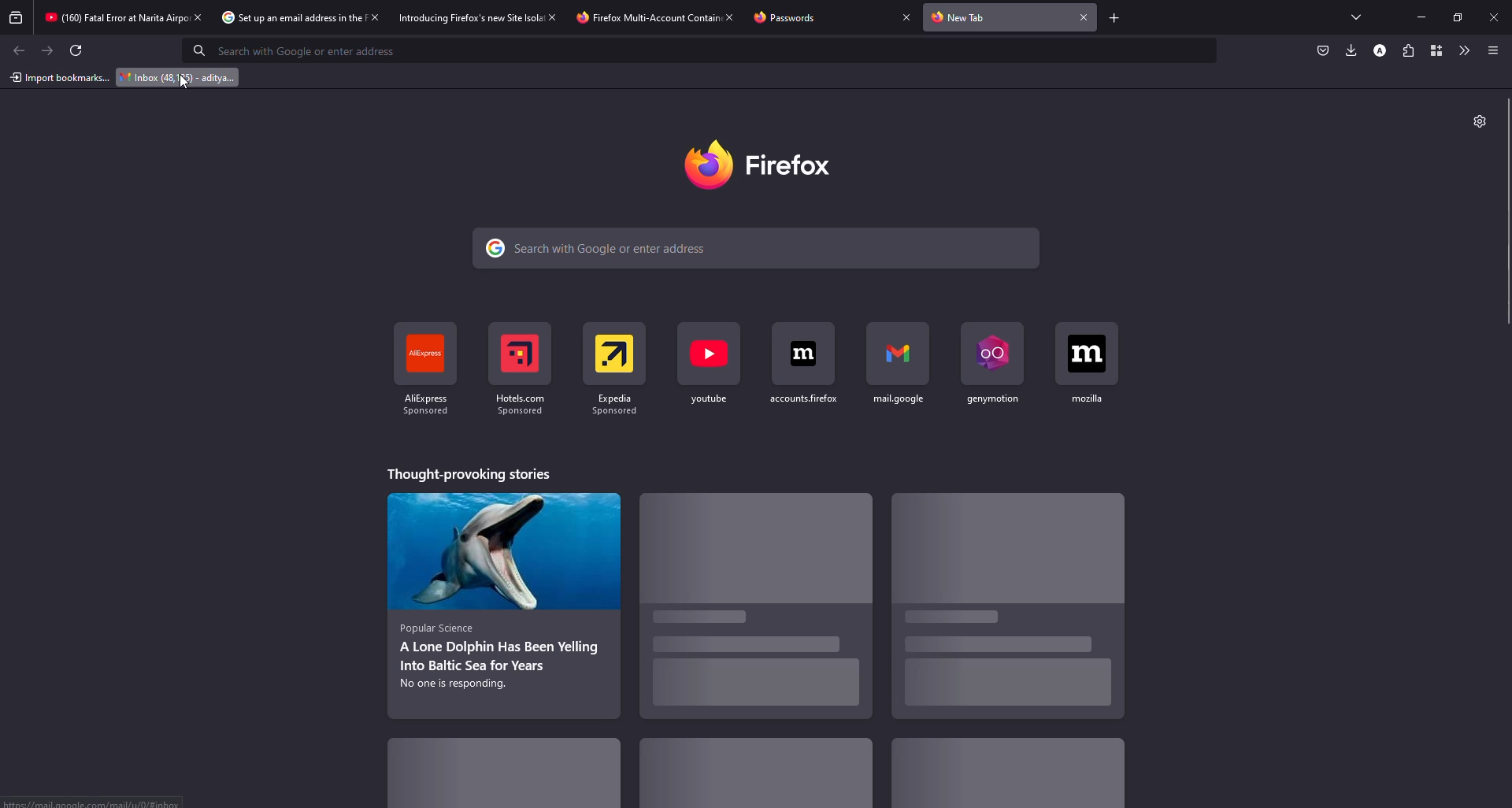  What do you see at coordinates (1491, 50) in the screenshot?
I see `menu` at bounding box center [1491, 50].